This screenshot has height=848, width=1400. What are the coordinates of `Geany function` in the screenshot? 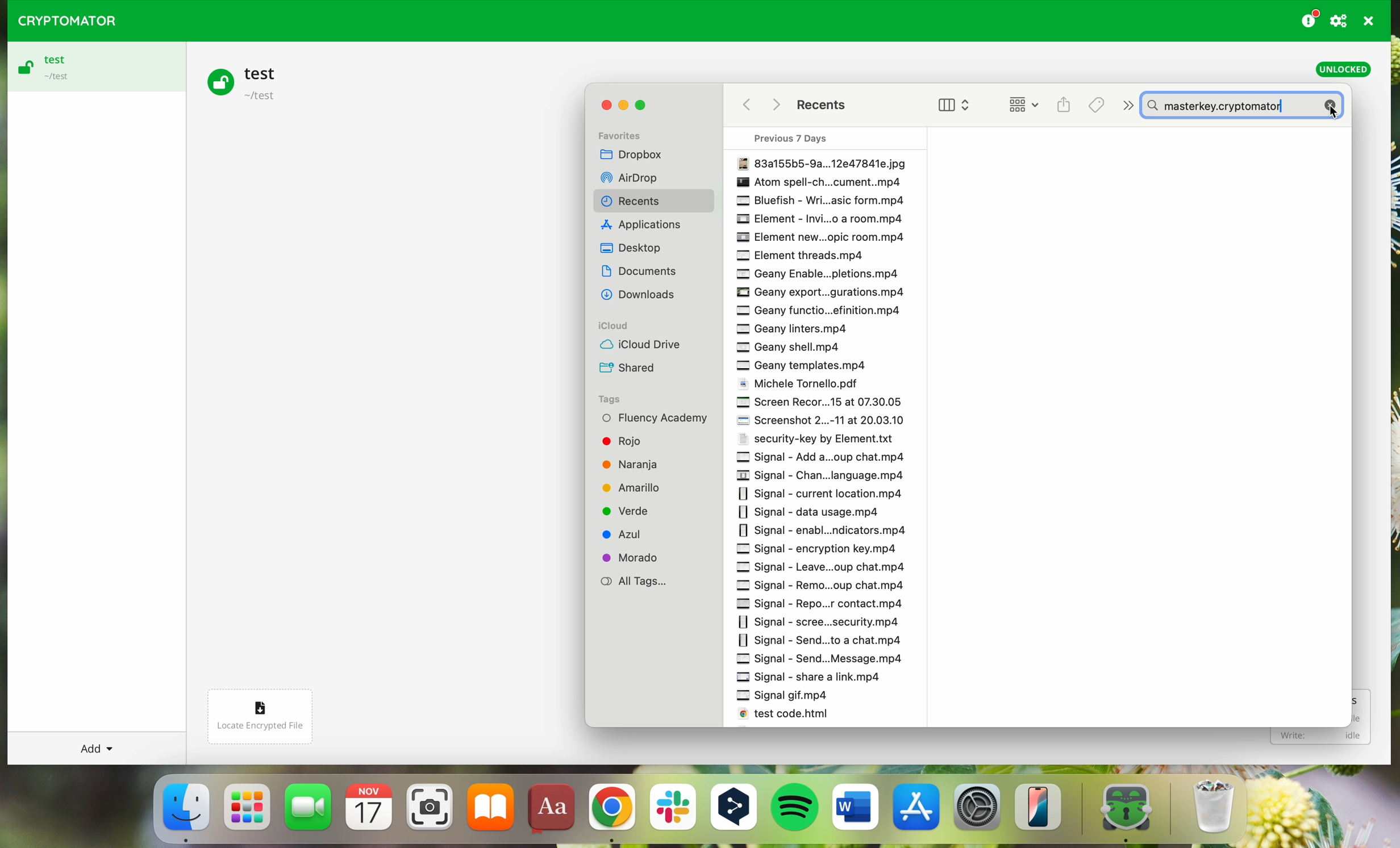 It's located at (823, 311).